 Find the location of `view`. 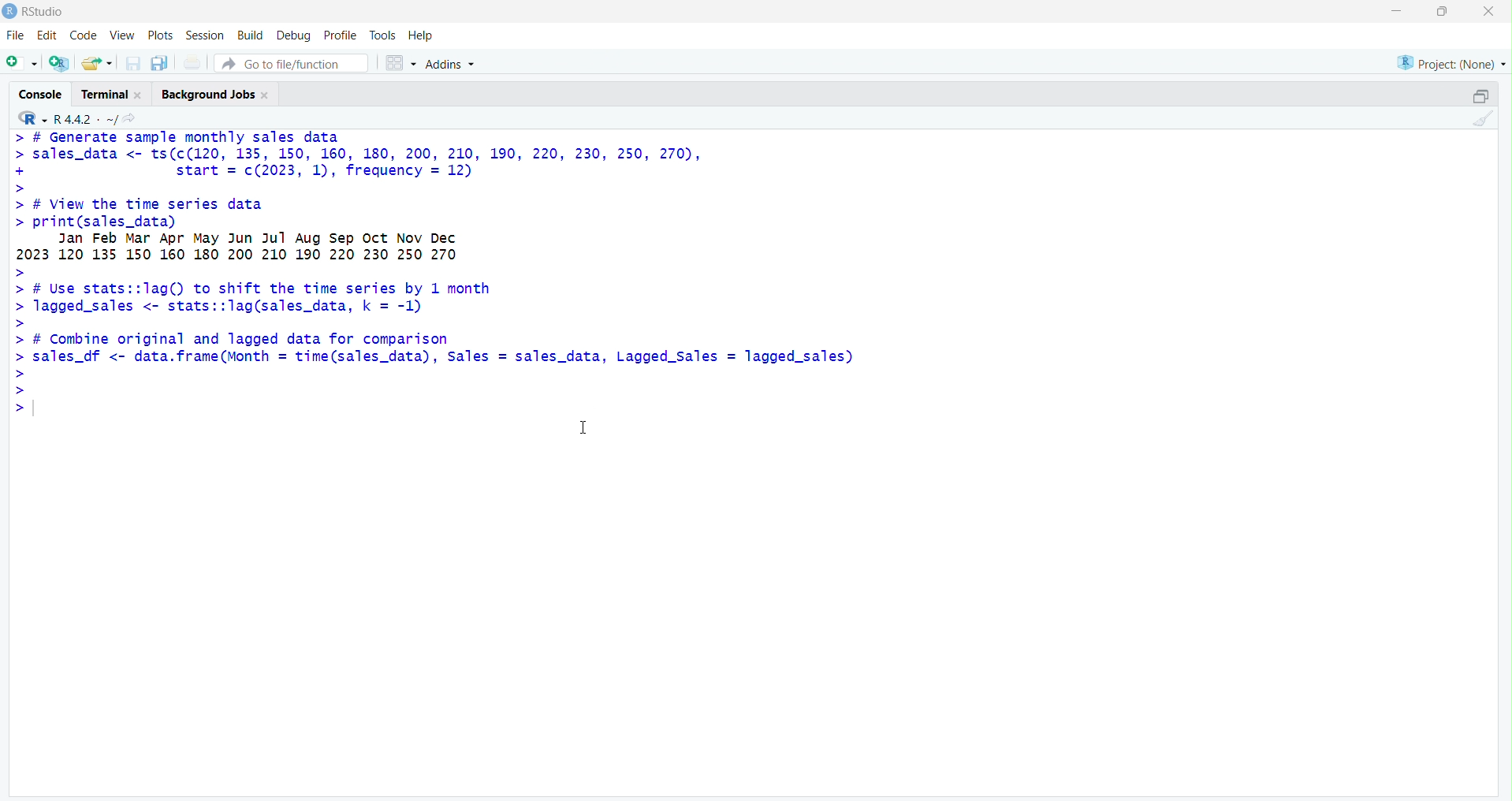

view is located at coordinates (121, 35).